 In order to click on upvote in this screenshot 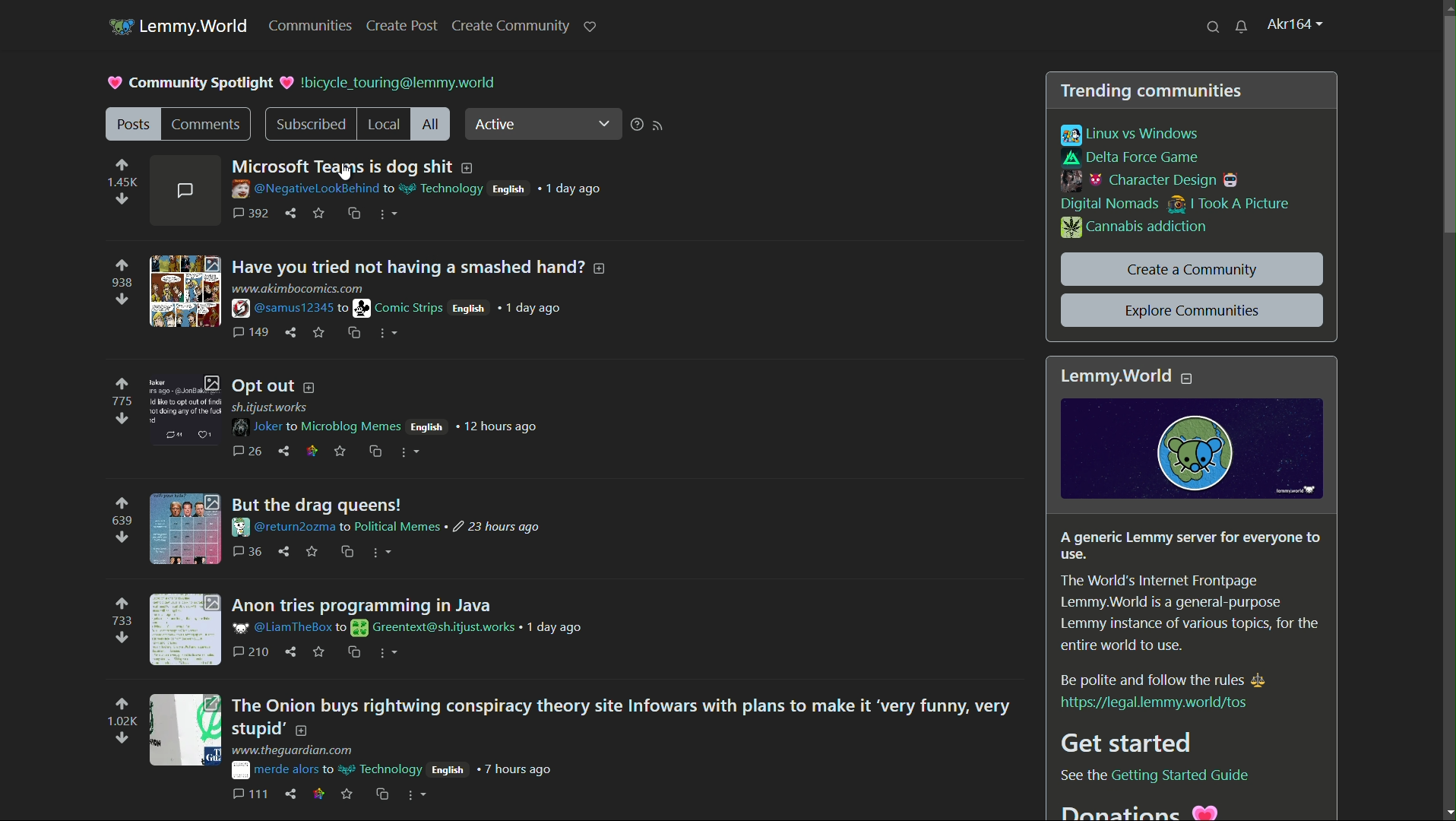, I will do `click(121, 166)`.